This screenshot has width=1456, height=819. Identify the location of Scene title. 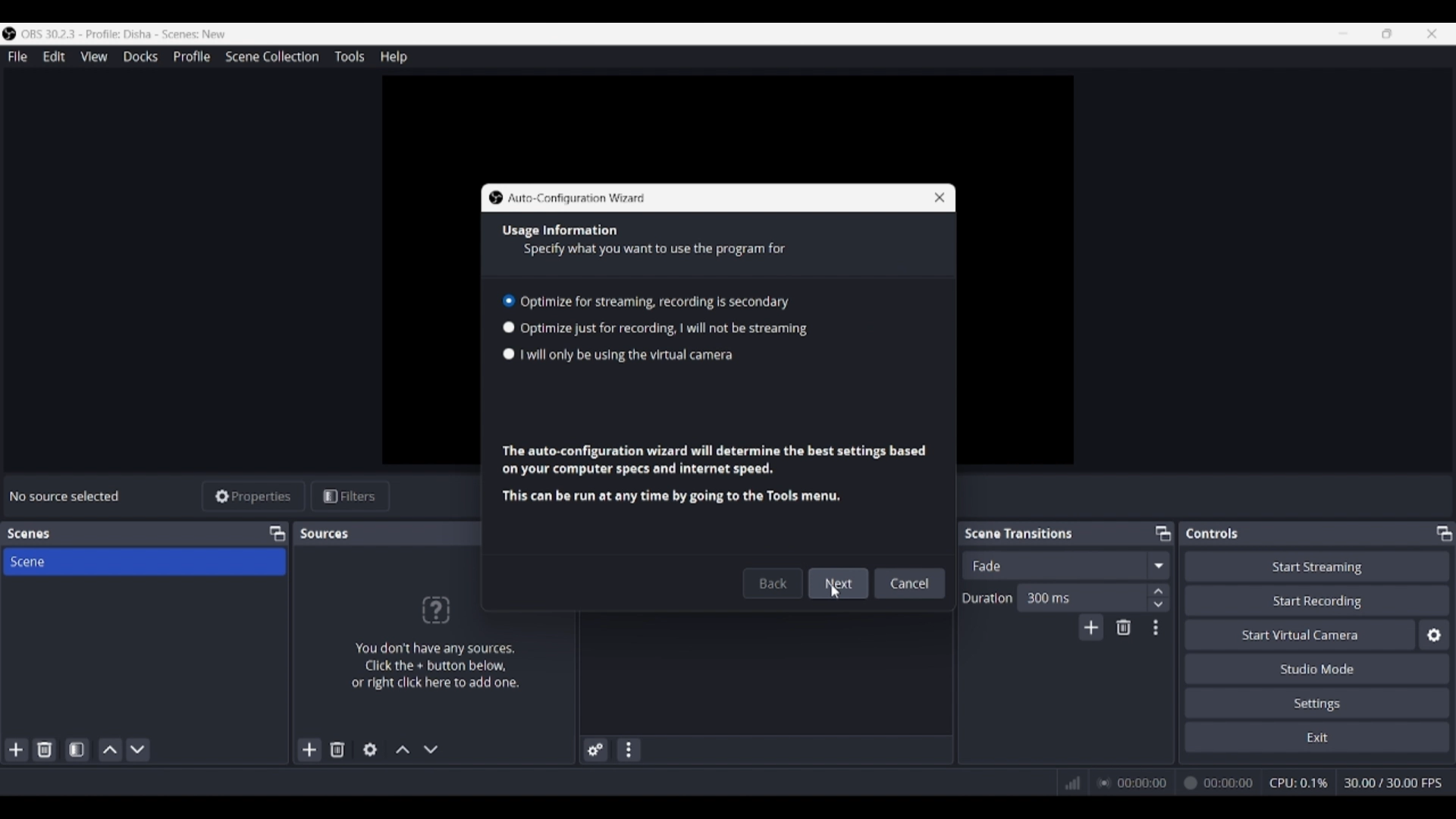
(144, 561).